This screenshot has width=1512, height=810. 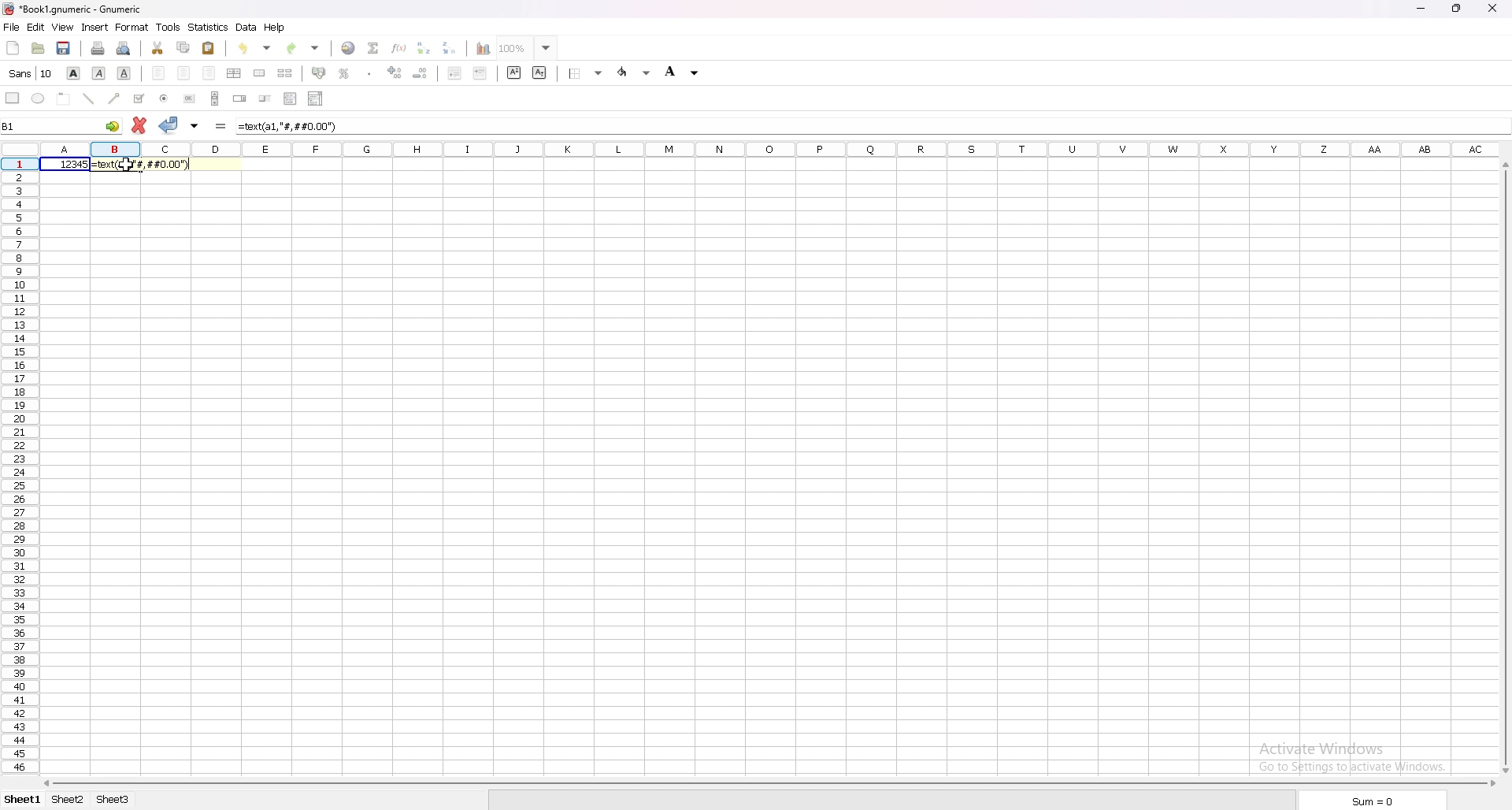 What do you see at coordinates (209, 48) in the screenshot?
I see `paste` at bounding box center [209, 48].